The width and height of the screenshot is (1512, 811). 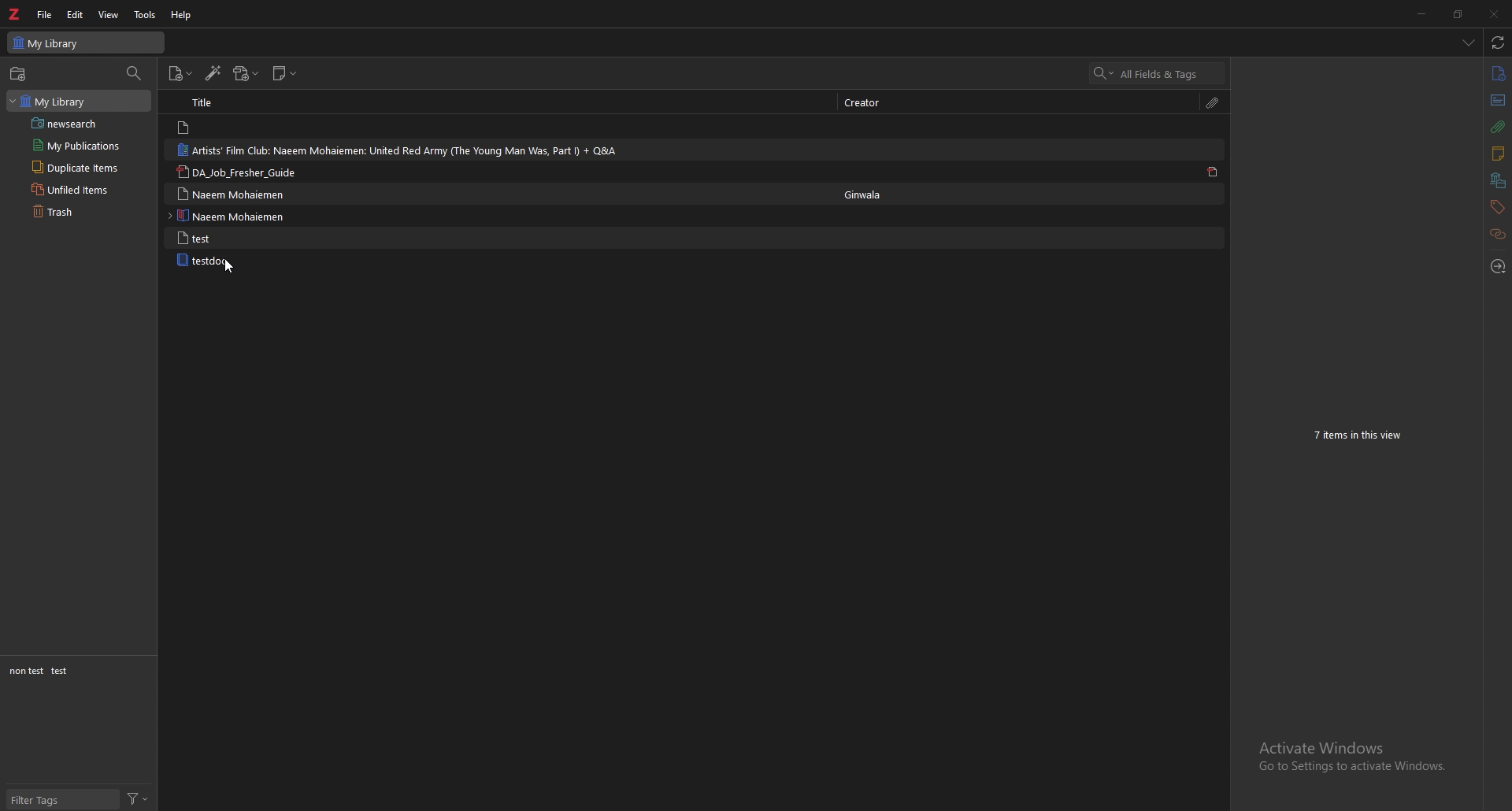 What do you see at coordinates (874, 102) in the screenshot?
I see `creator` at bounding box center [874, 102].